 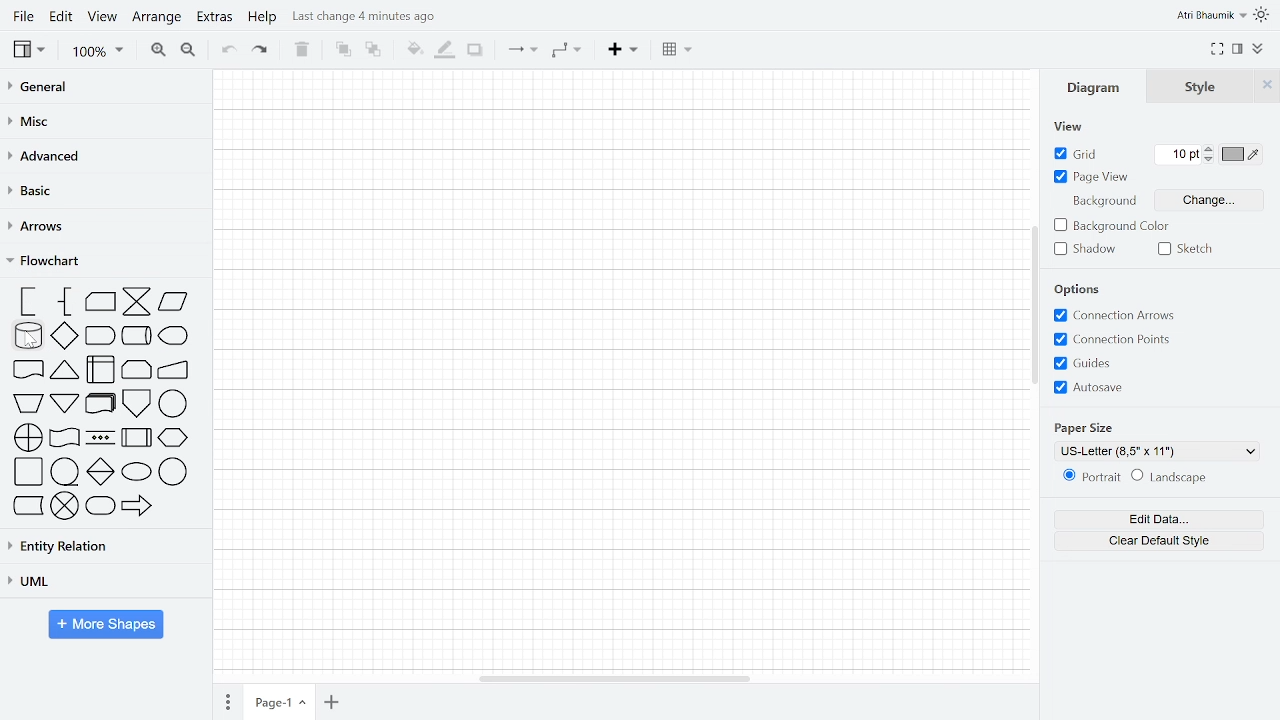 I want to click on process, so click(x=27, y=473).